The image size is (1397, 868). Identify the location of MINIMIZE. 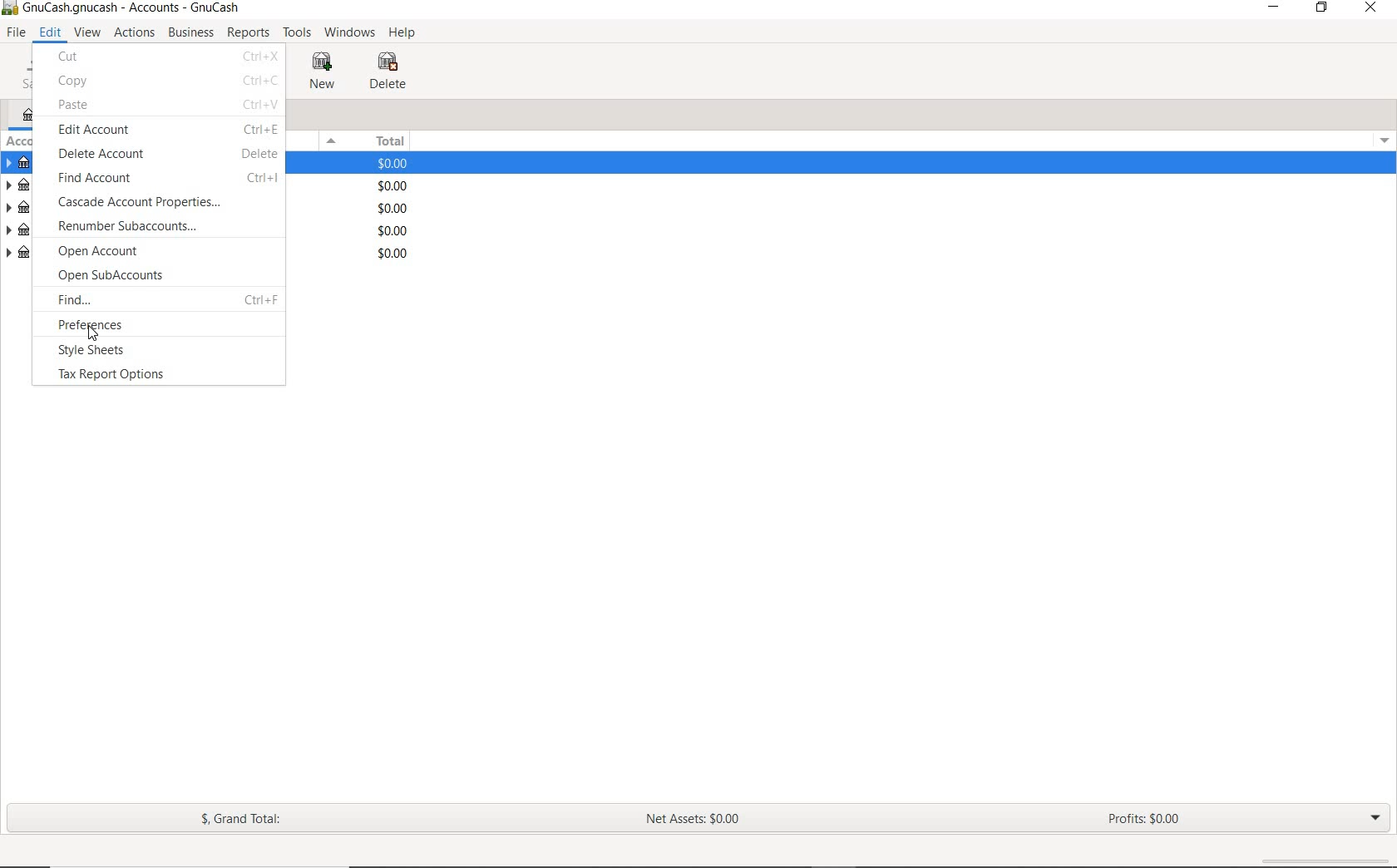
(1276, 11).